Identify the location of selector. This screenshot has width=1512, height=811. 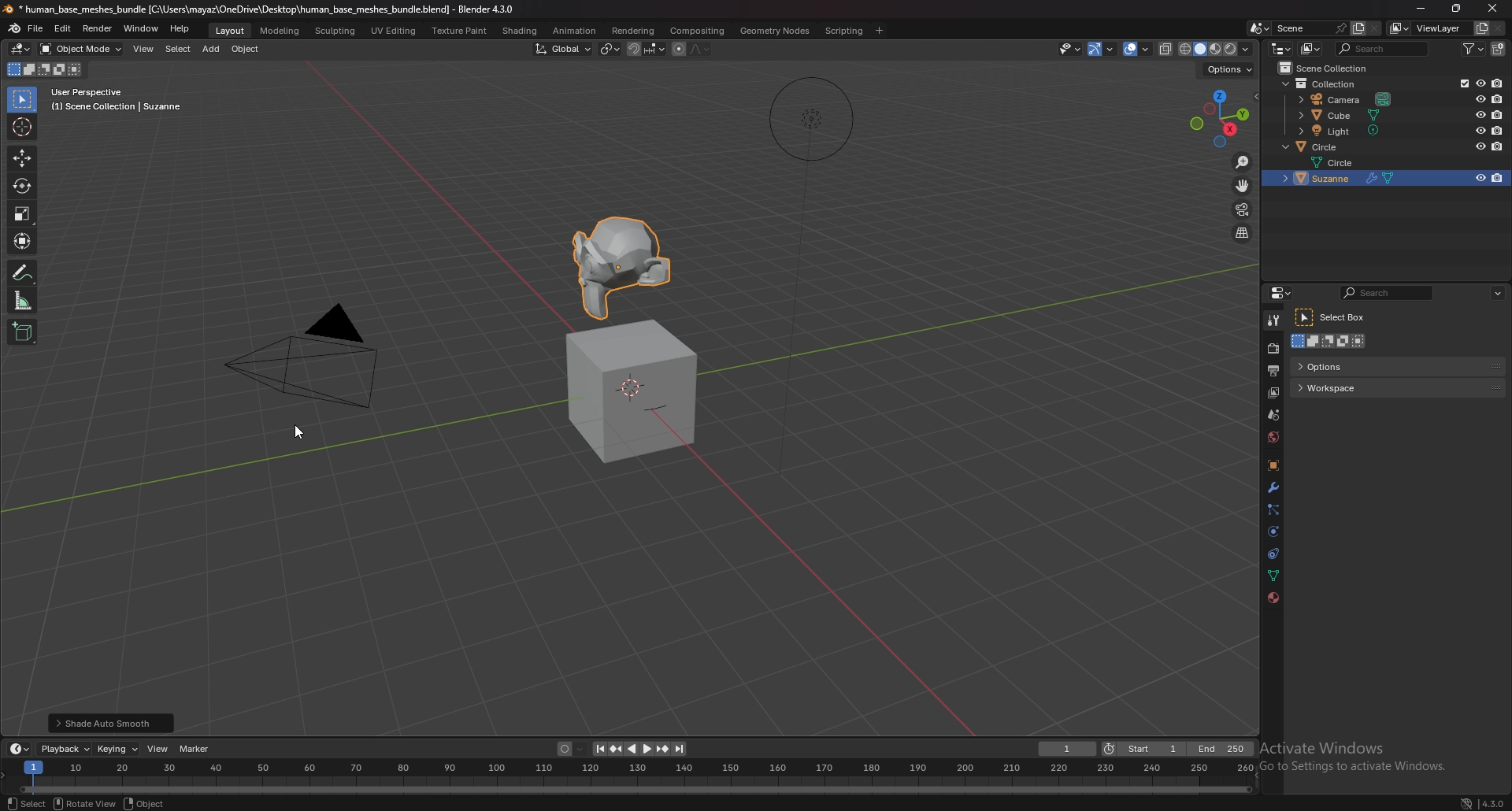
(23, 99).